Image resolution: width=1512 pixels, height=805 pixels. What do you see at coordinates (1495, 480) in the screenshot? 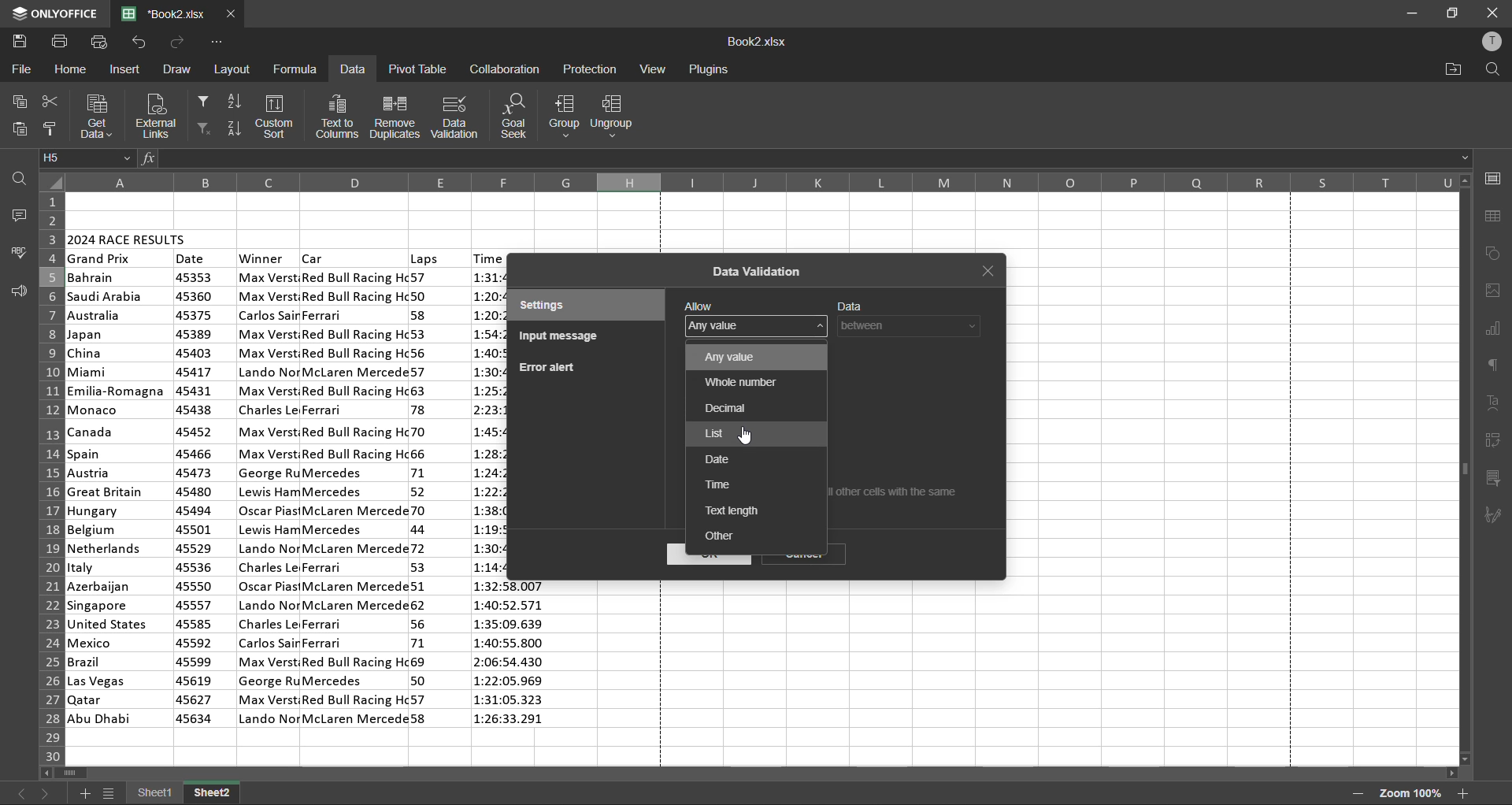
I see `slicer` at bounding box center [1495, 480].